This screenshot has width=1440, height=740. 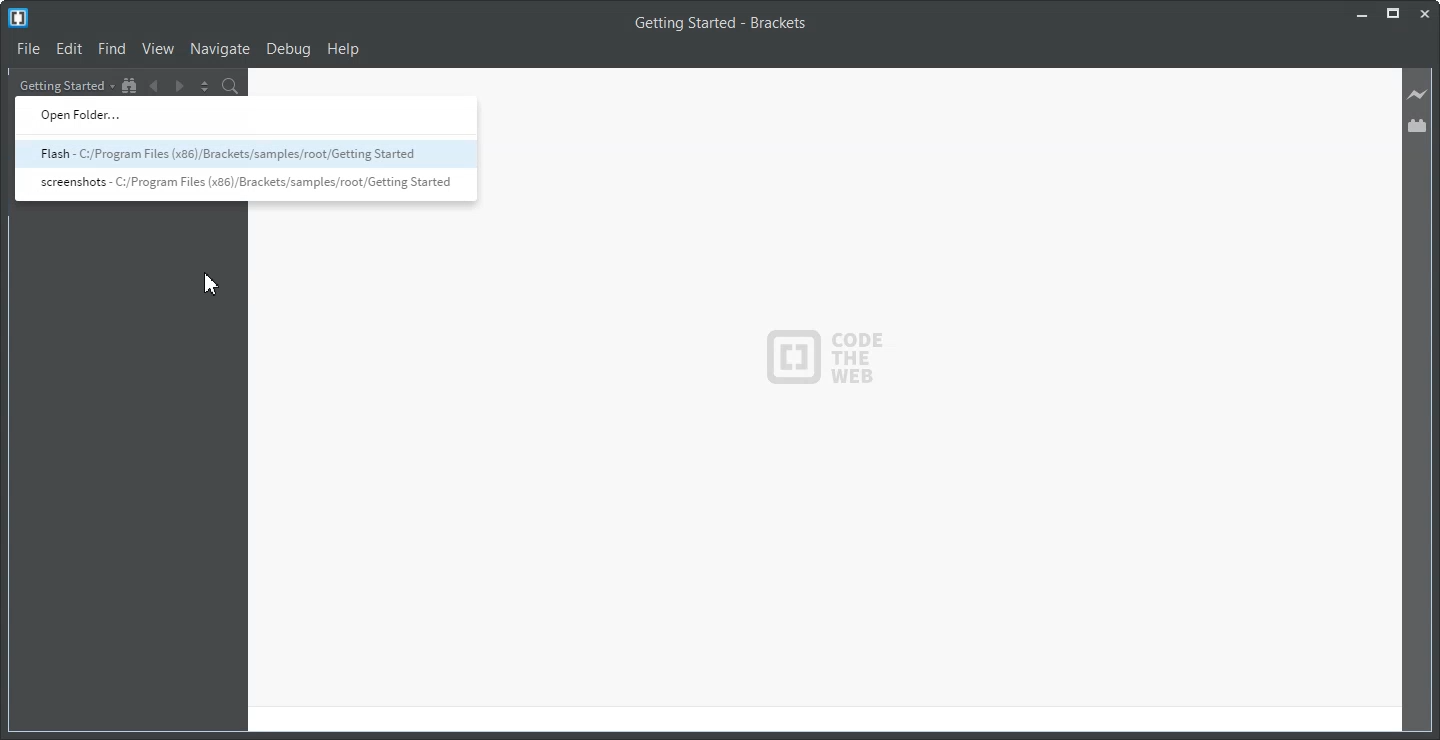 I want to click on View, so click(x=159, y=49).